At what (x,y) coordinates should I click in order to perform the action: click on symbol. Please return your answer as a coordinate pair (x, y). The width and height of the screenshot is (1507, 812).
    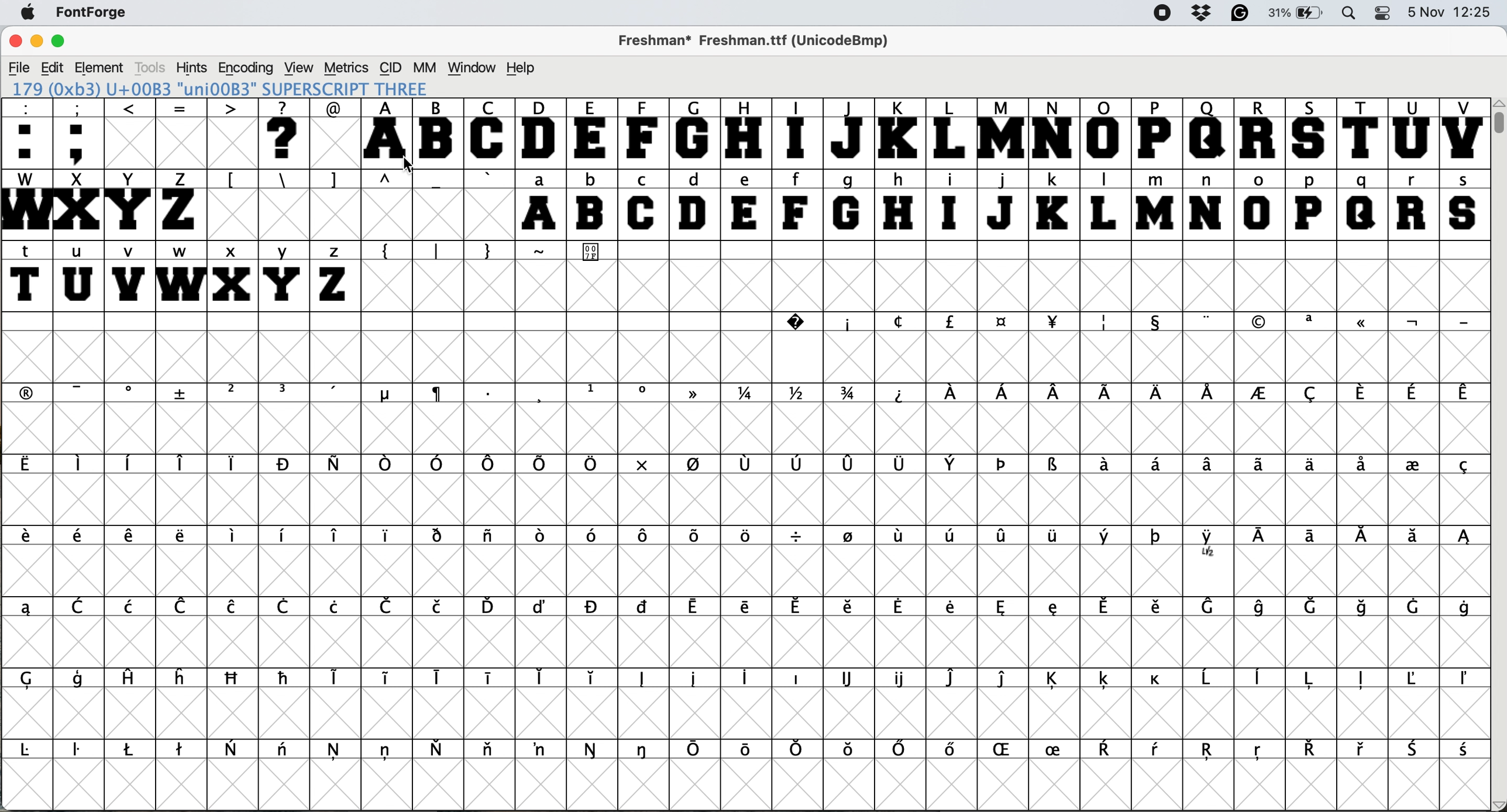
    Looking at the image, I should click on (1057, 609).